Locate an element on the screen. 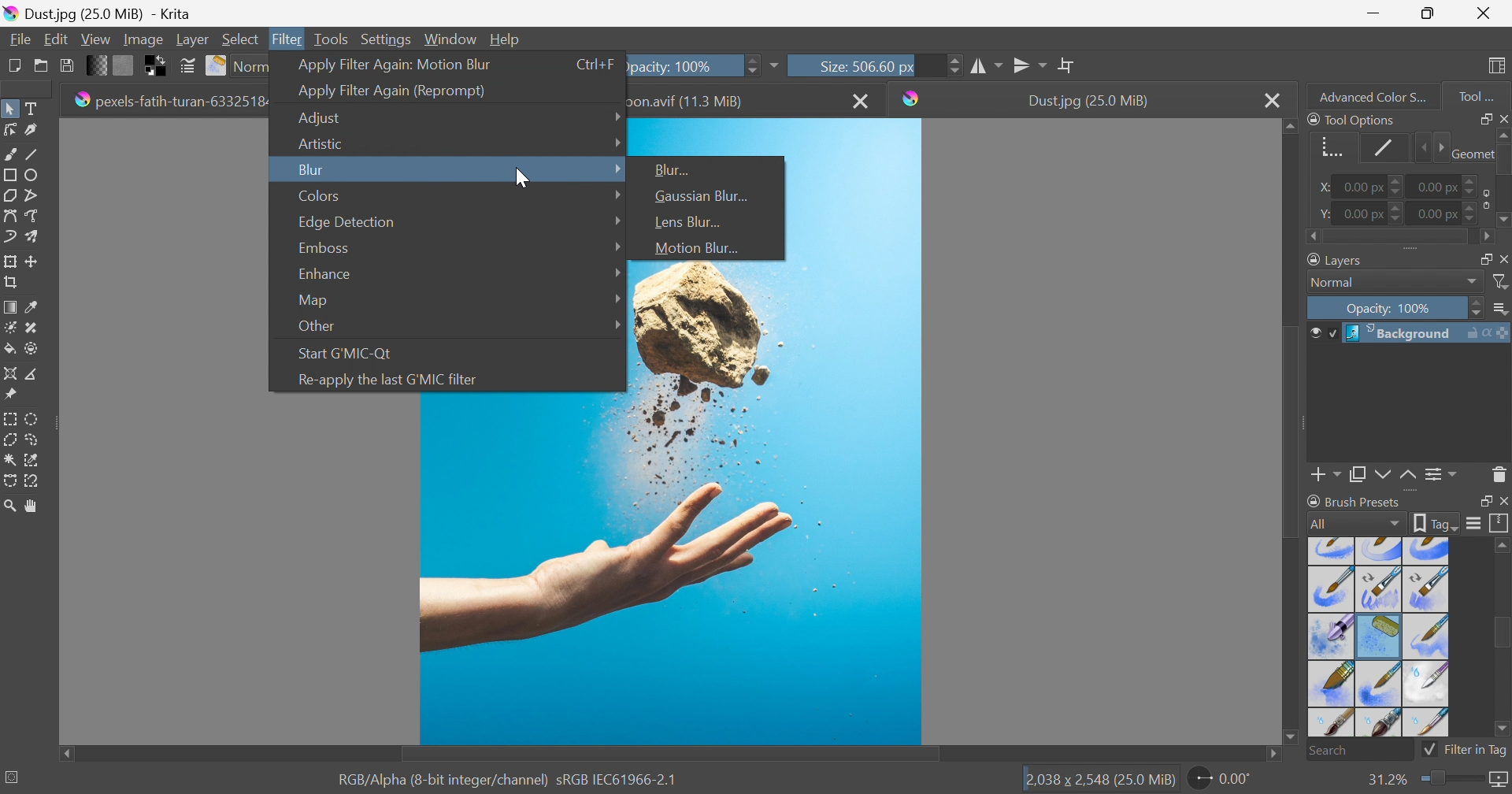 This screenshot has height=794, width=1512. 31.2% is located at coordinates (1385, 779).